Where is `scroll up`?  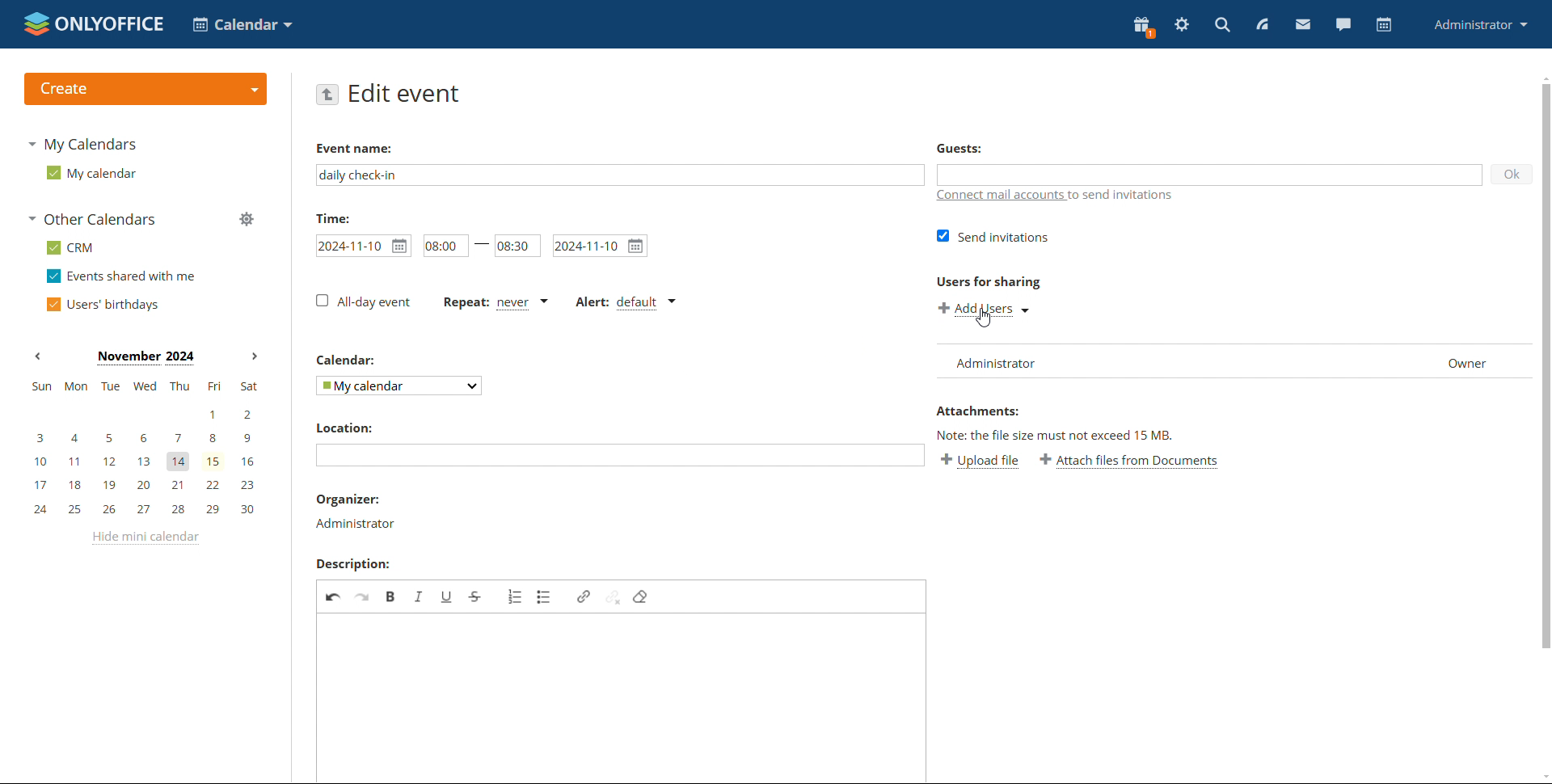 scroll up is located at coordinates (1542, 76).